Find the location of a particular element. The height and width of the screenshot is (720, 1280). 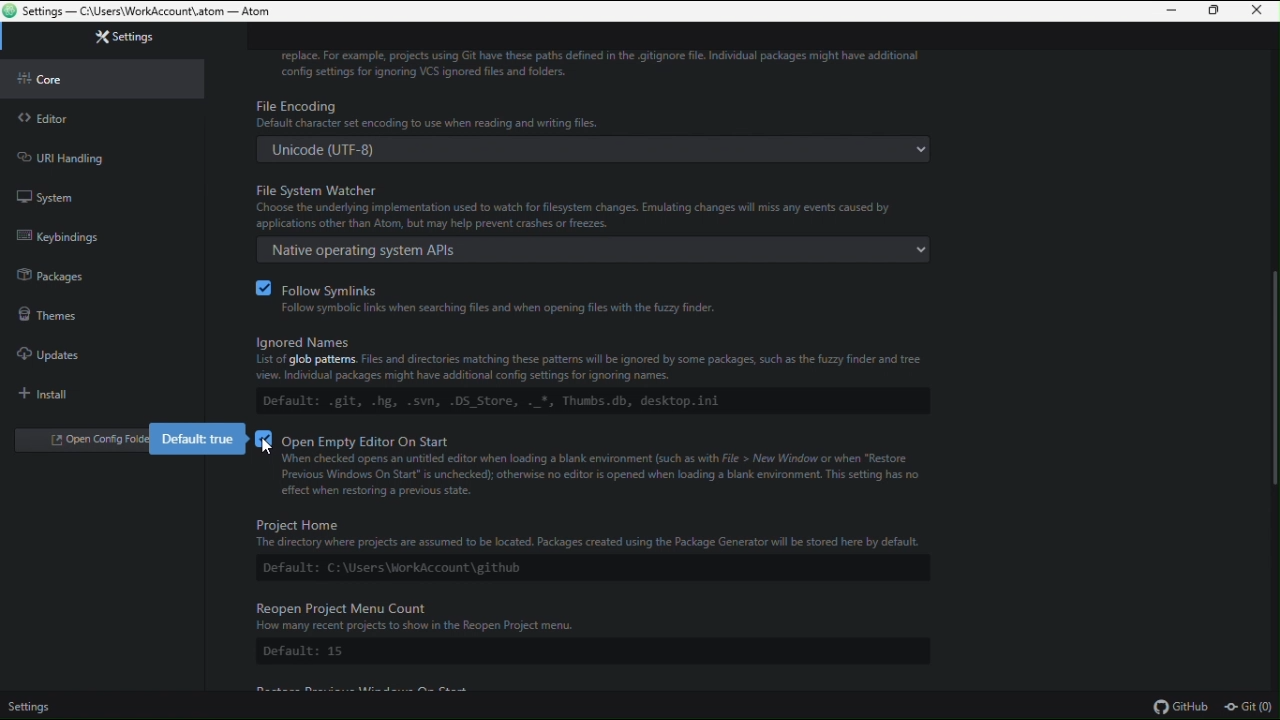

text is located at coordinates (607, 65).